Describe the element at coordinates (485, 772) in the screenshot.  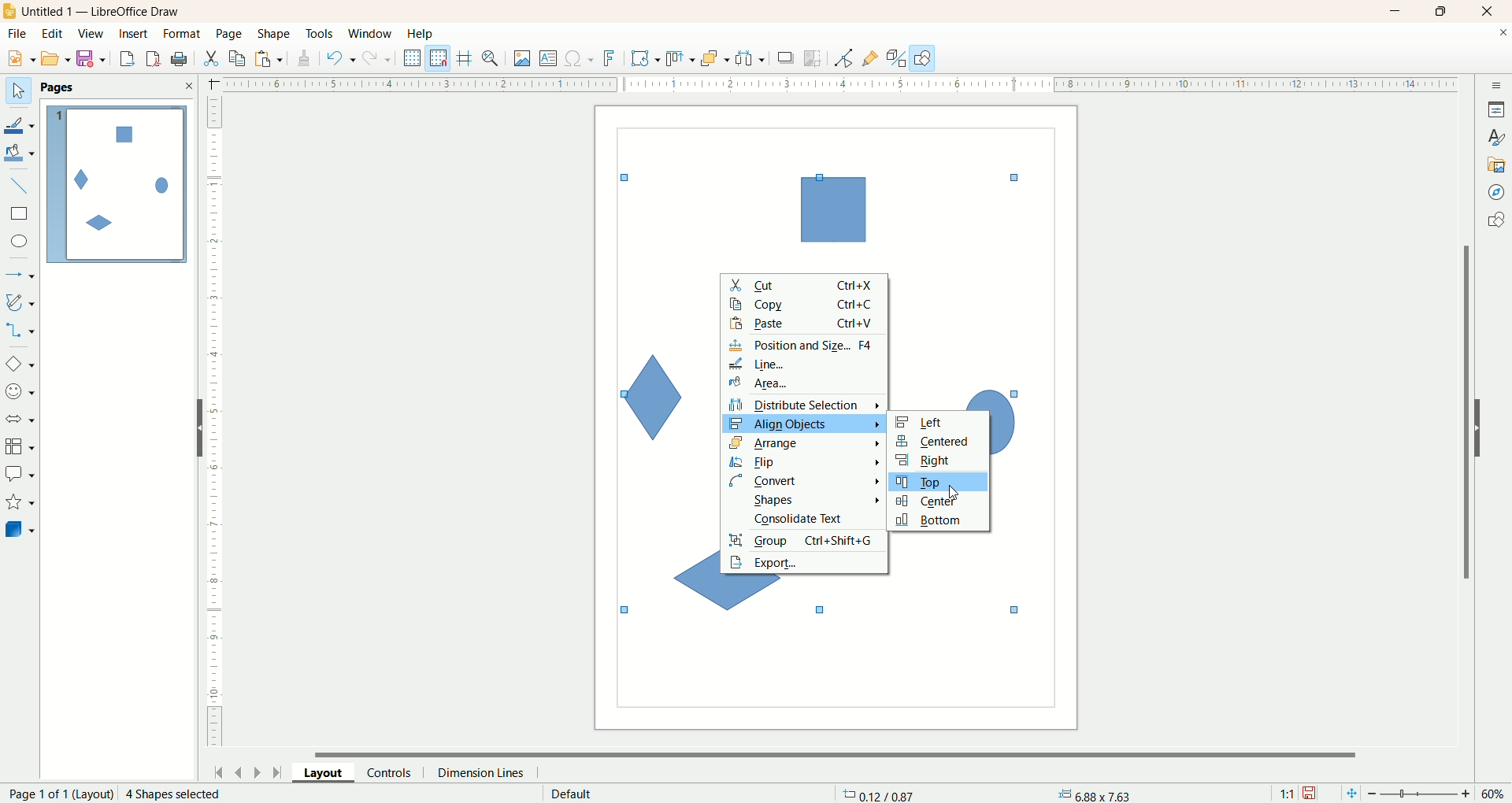
I see `dimension lines` at that location.